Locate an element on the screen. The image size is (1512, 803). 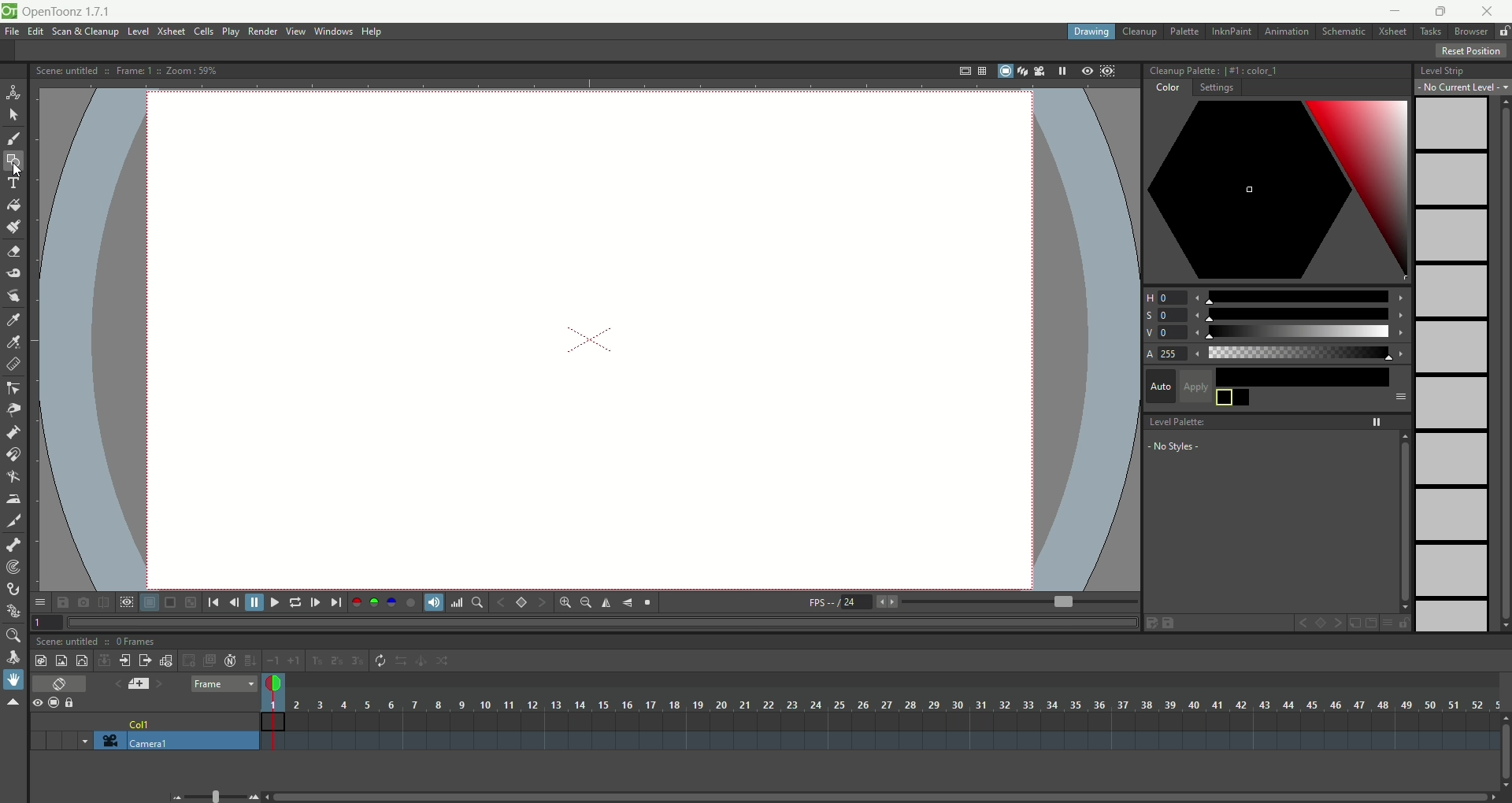
X sheet is located at coordinates (1395, 32).